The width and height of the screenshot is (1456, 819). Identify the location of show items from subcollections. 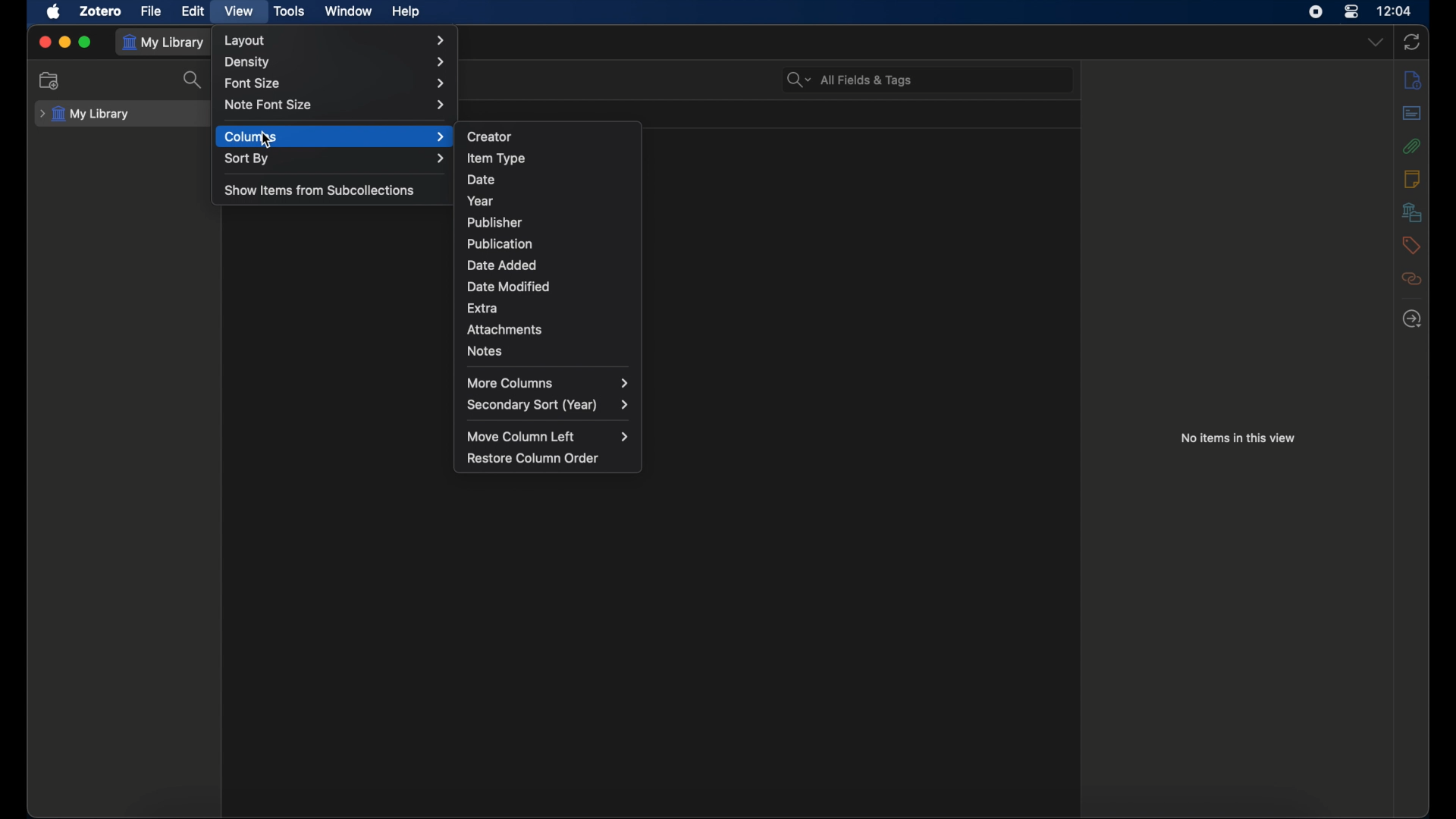
(319, 191).